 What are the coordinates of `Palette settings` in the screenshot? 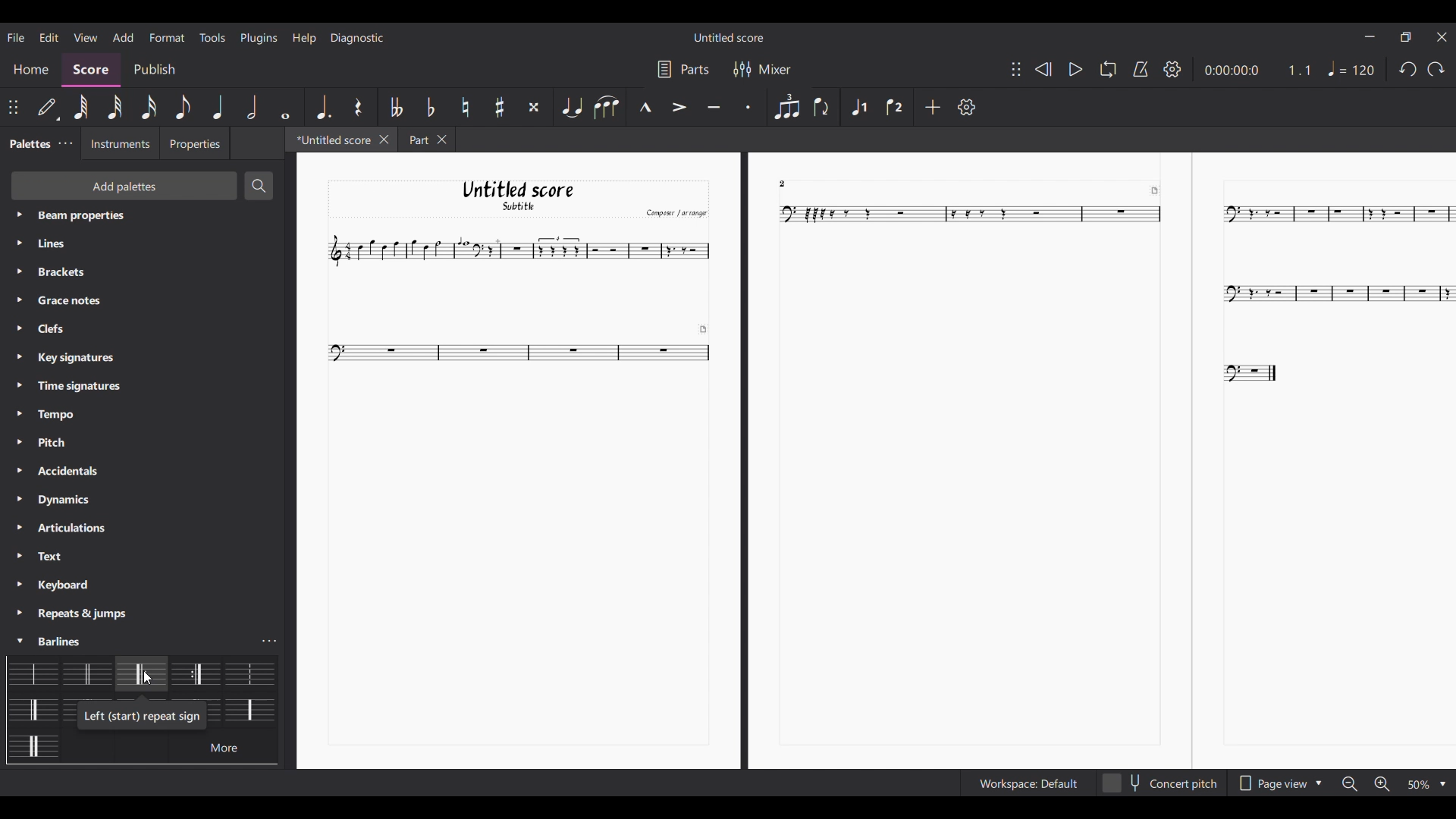 It's located at (89, 218).